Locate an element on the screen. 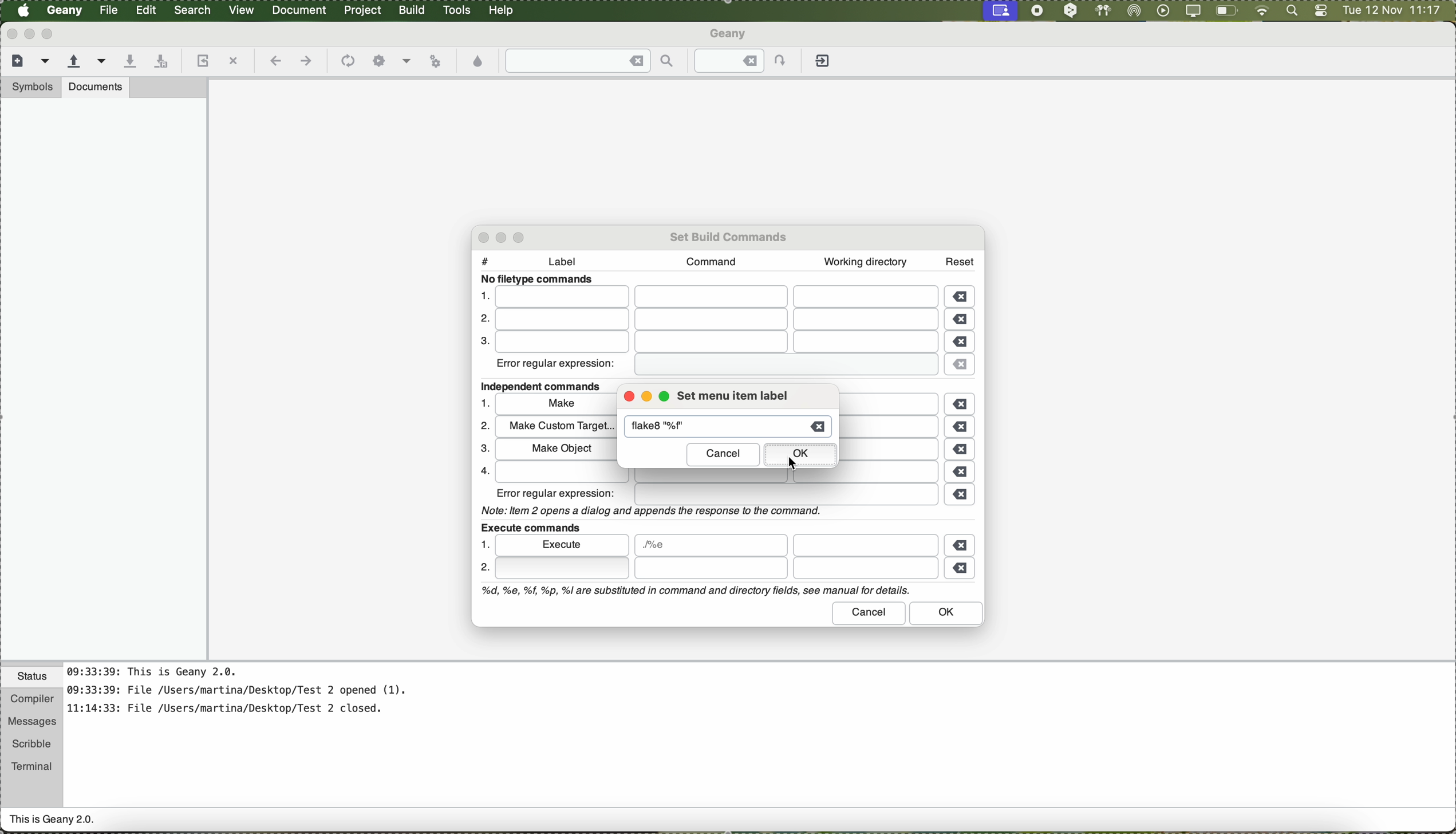 This screenshot has width=1456, height=834. edit is located at coordinates (145, 9).